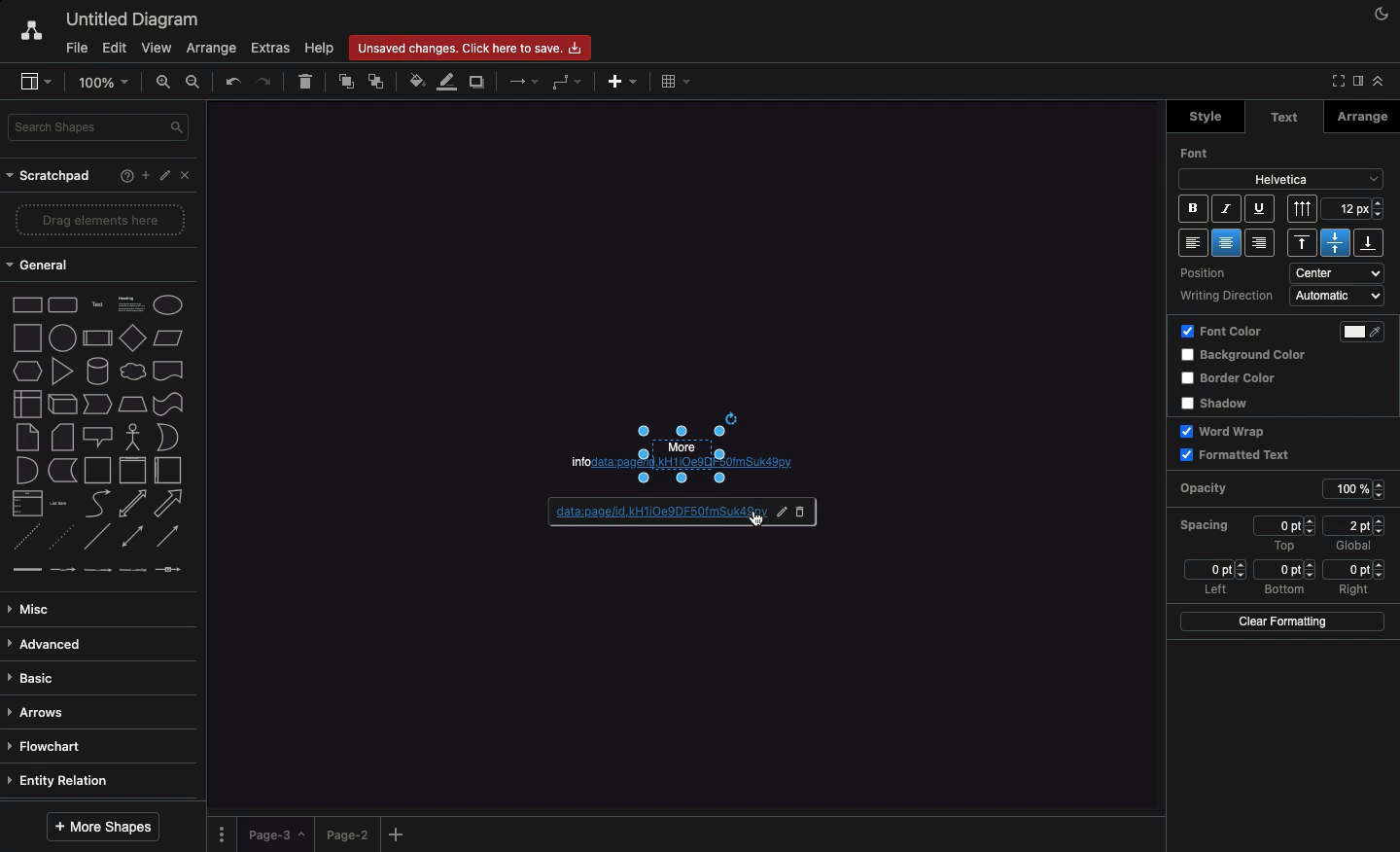  Describe the element at coordinates (168, 337) in the screenshot. I see `parallelogram` at that location.